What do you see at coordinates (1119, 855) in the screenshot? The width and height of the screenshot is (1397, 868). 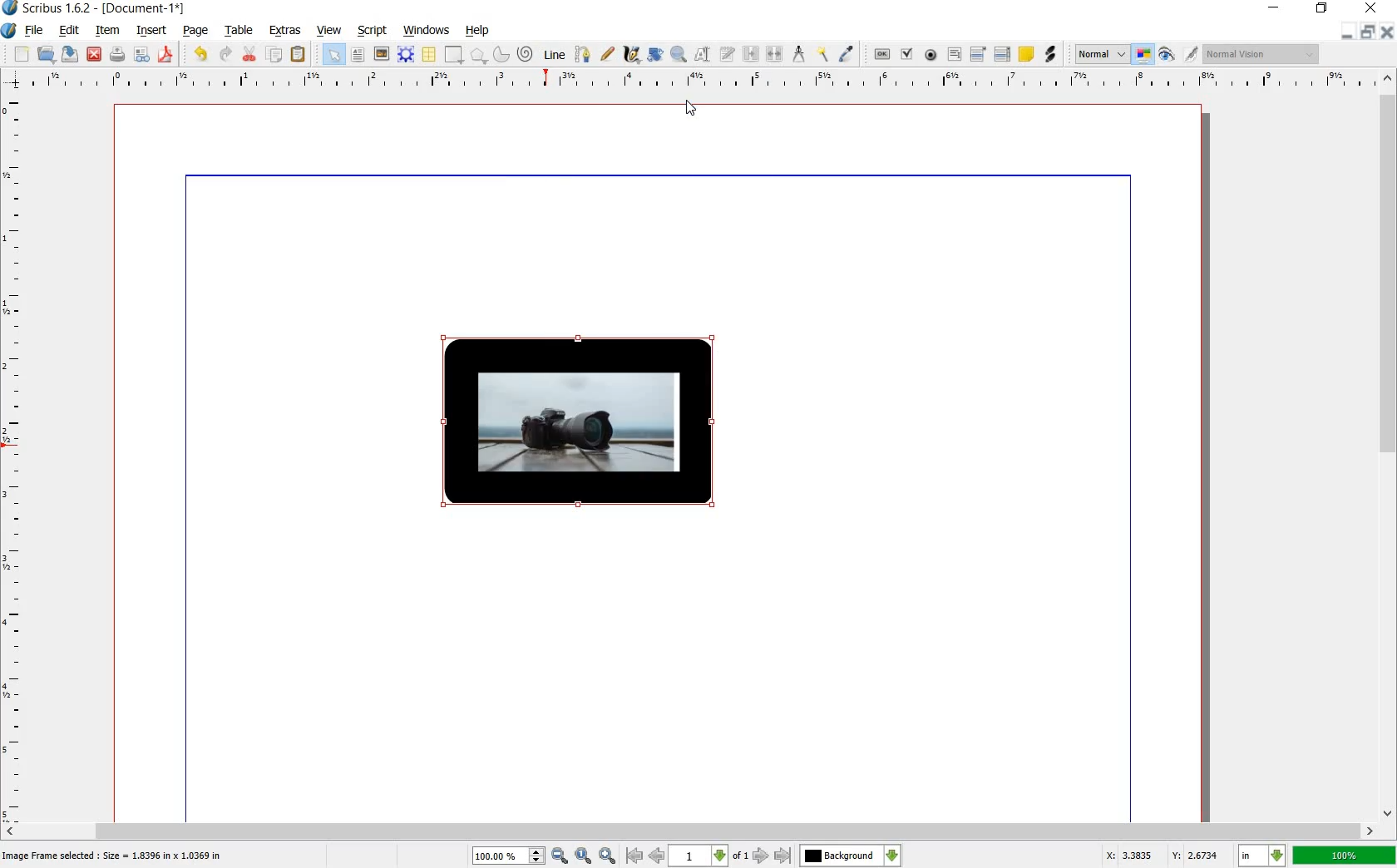 I see `coordinates x: 3.4729` at bounding box center [1119, 855].